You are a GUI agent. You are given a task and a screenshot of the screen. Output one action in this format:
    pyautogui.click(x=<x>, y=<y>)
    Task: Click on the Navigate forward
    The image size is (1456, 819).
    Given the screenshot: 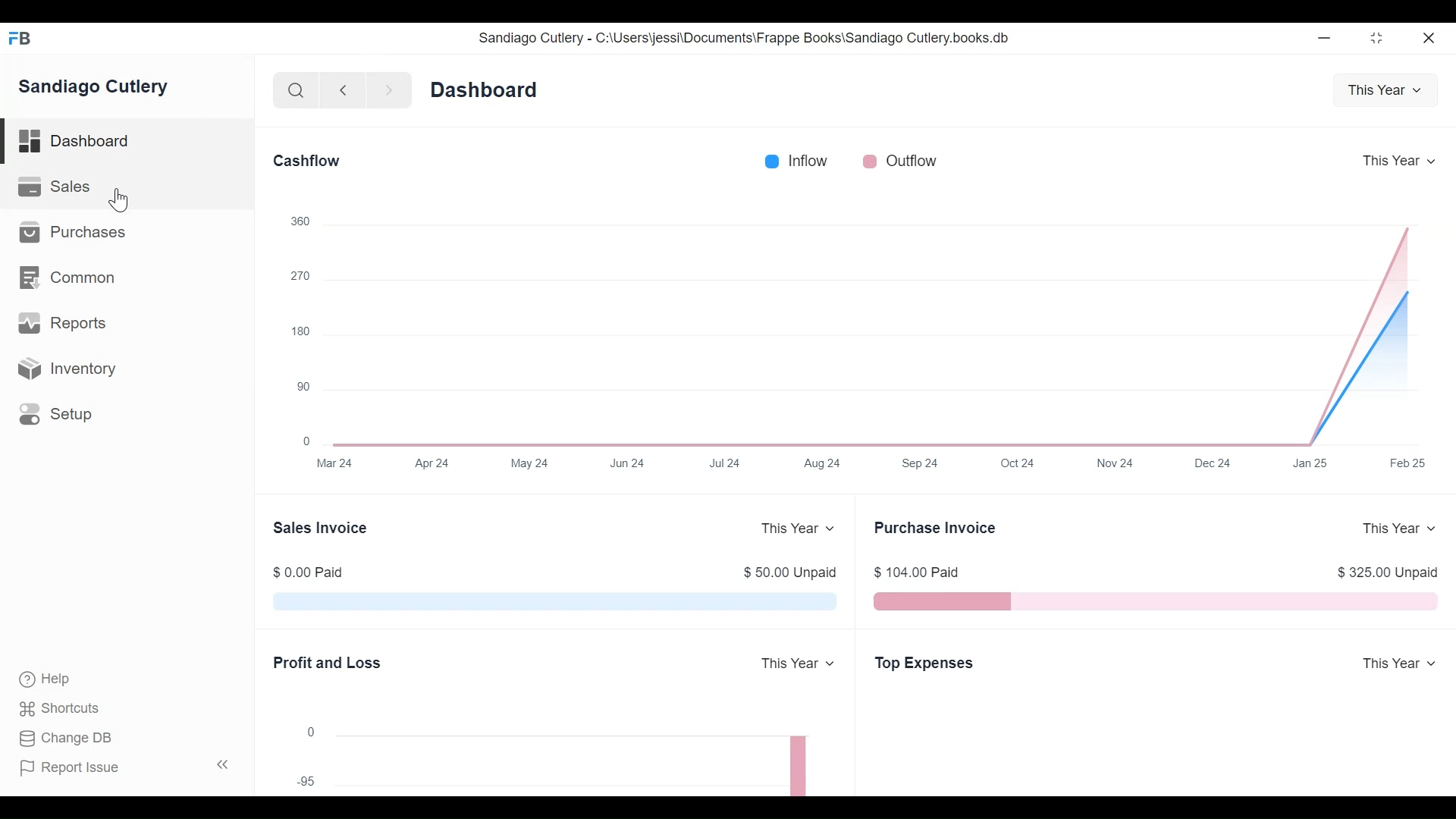 What is the action you would take?
    pyautogui.click(x=390, y=89)
    